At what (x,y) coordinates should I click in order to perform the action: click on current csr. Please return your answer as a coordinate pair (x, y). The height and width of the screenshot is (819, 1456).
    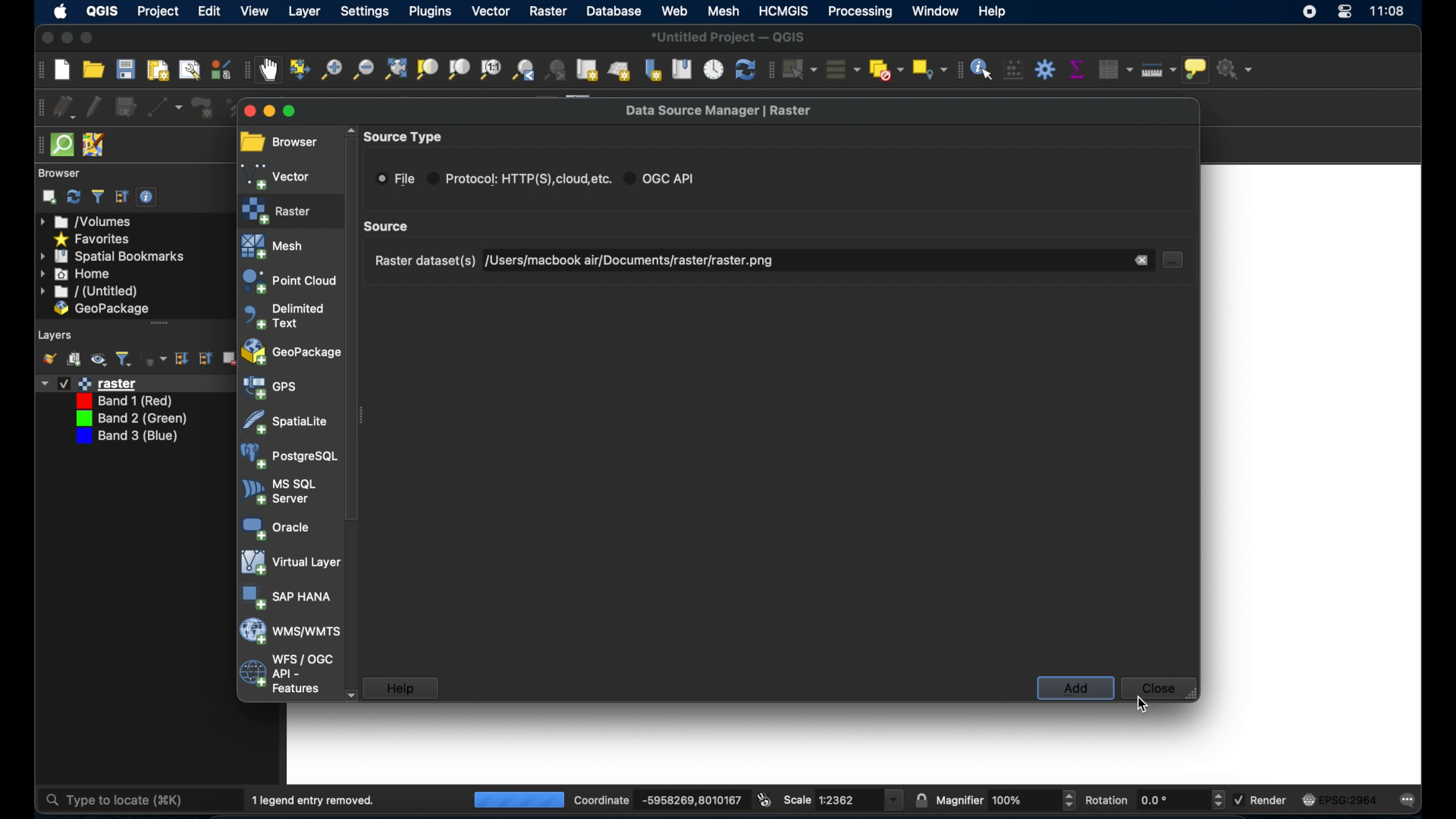
    Looking at the image, I should click on (1345, 799).